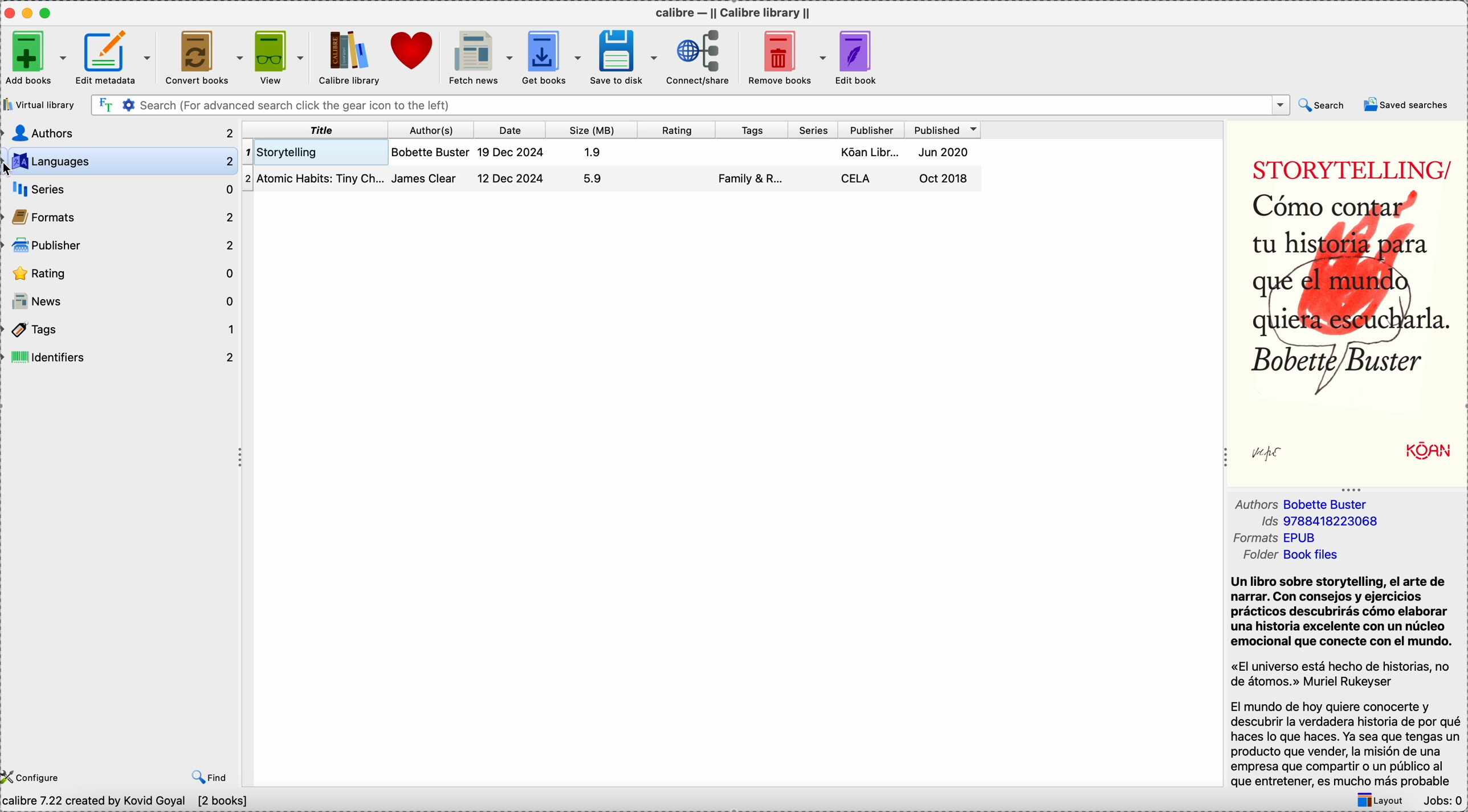 This screenshot has height=812, width=1468. Describe the element at coordinates (1327, 105) in the screenshot. I see `search` at that location.